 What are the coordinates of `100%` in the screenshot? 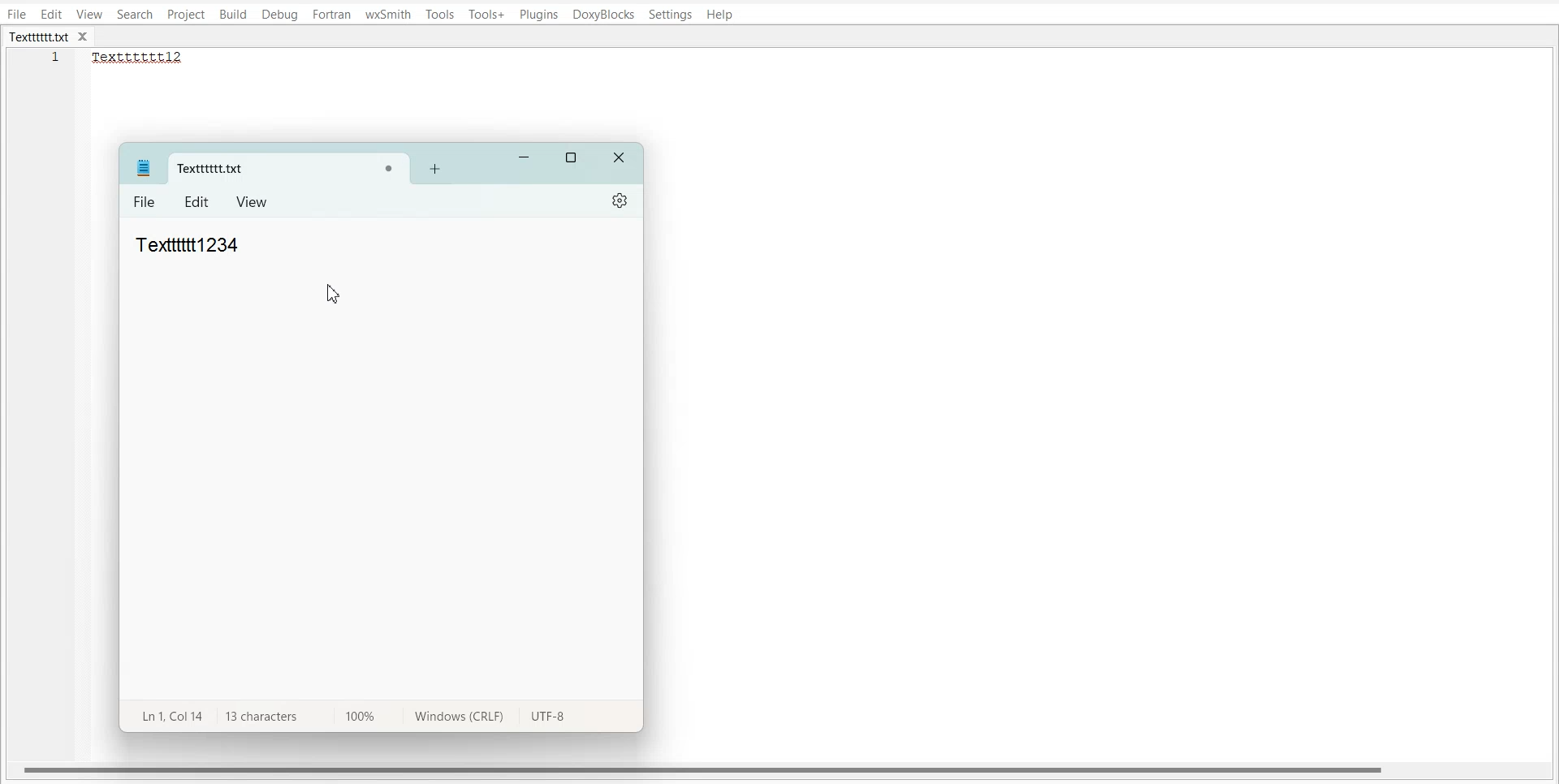 It's located at (356, 715).